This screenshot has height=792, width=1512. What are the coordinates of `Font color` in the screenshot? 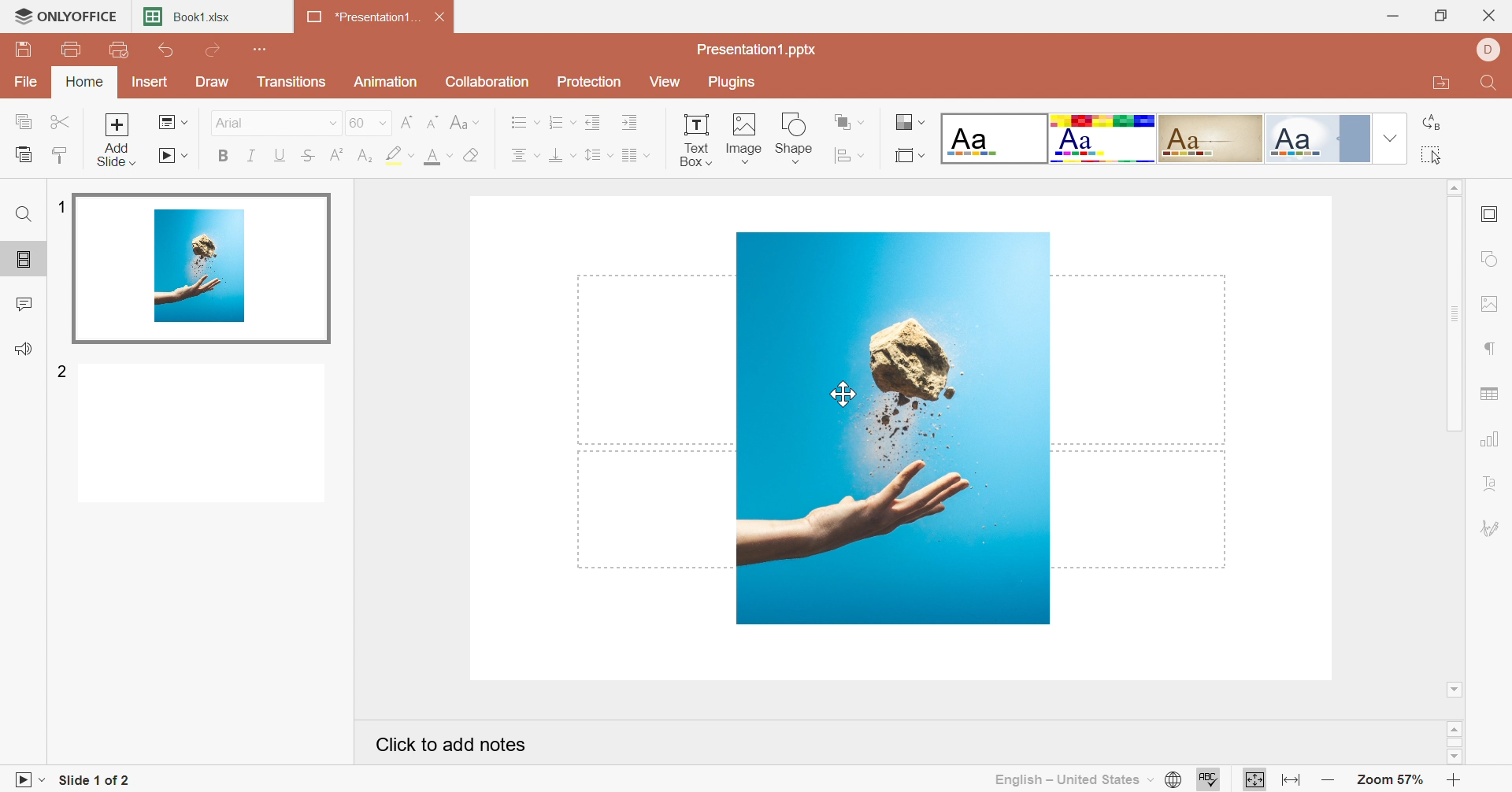 It's located at (442, 155).